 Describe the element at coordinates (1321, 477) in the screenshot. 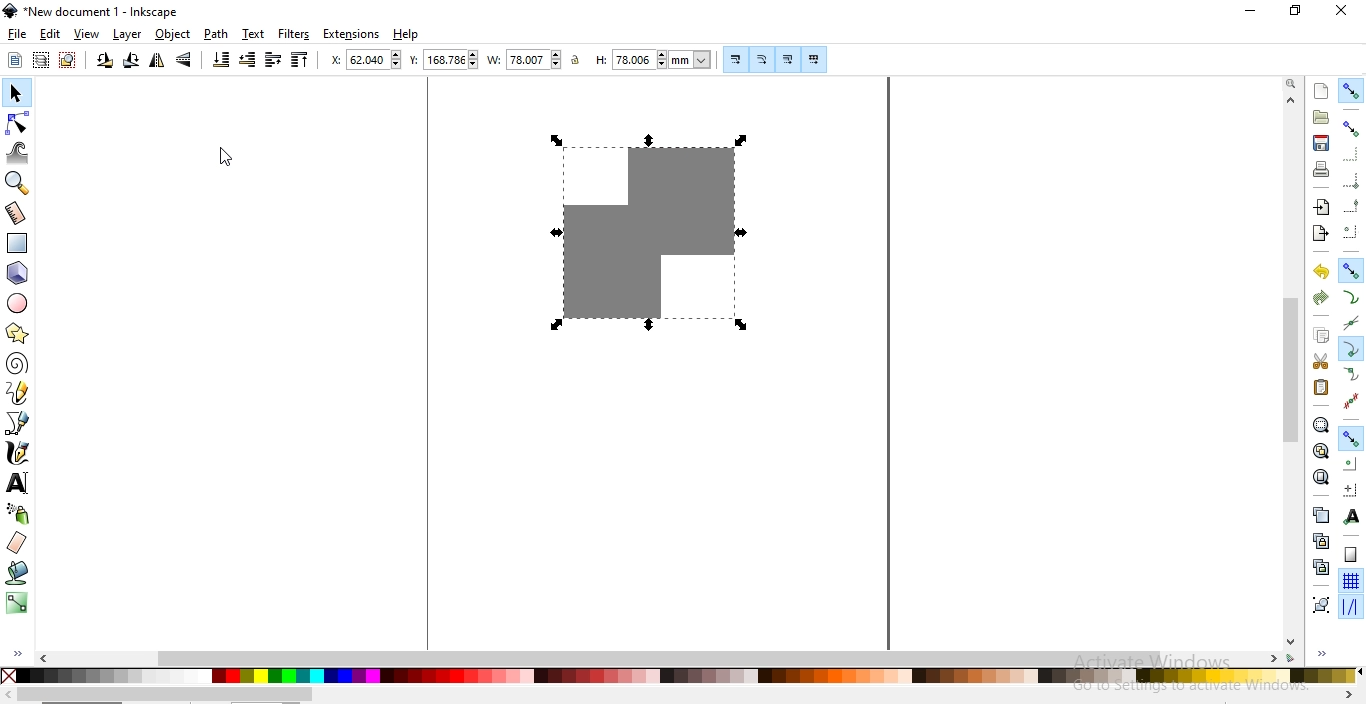

I see `zoom to fit page` at that location.